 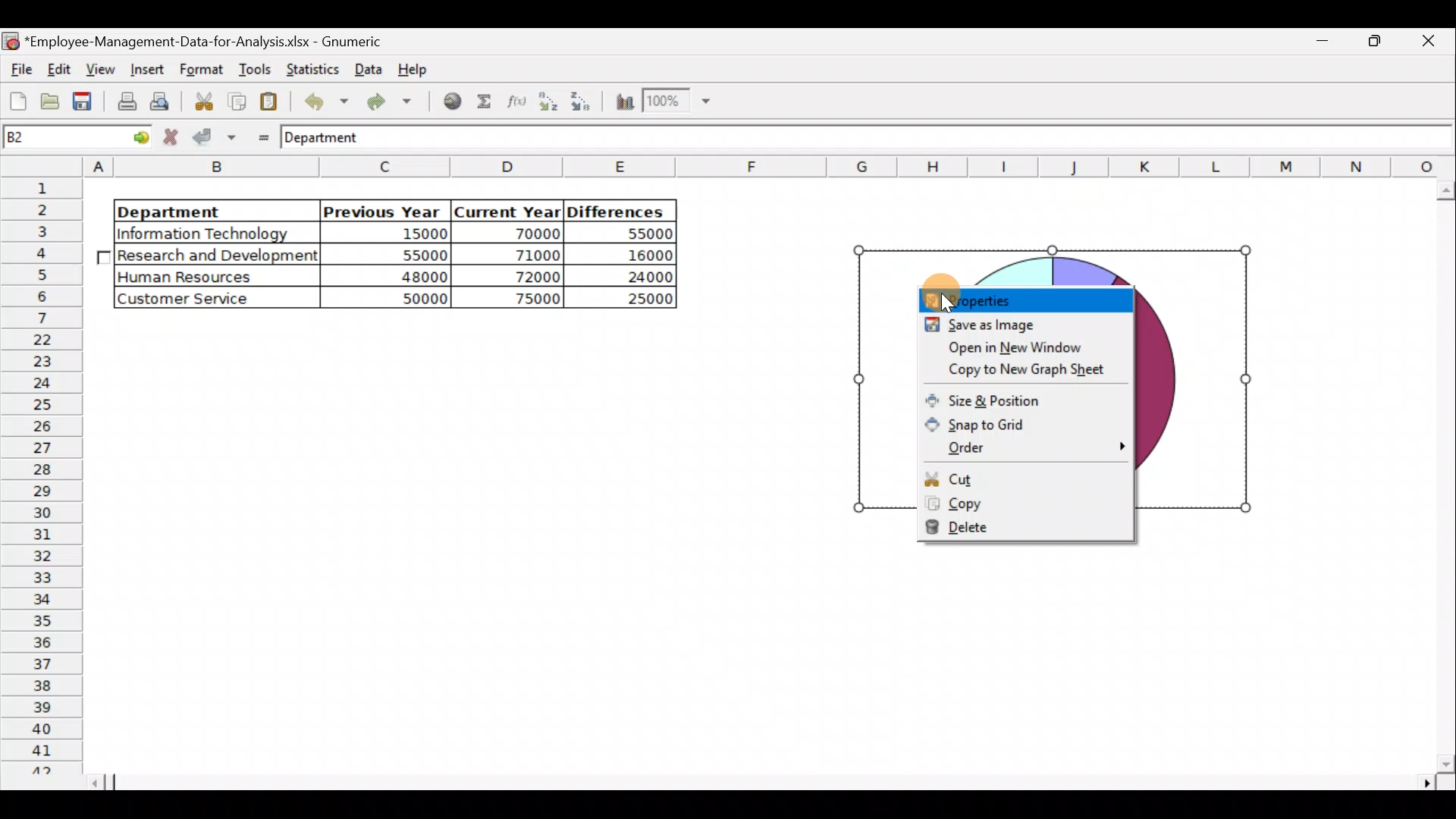 What do you see at coordinates (214, 40) in the screenshot?
I see `Employee-Management-Data-for-Analysis.xlsx - Gnumeric` at bounding box center [214, 40].